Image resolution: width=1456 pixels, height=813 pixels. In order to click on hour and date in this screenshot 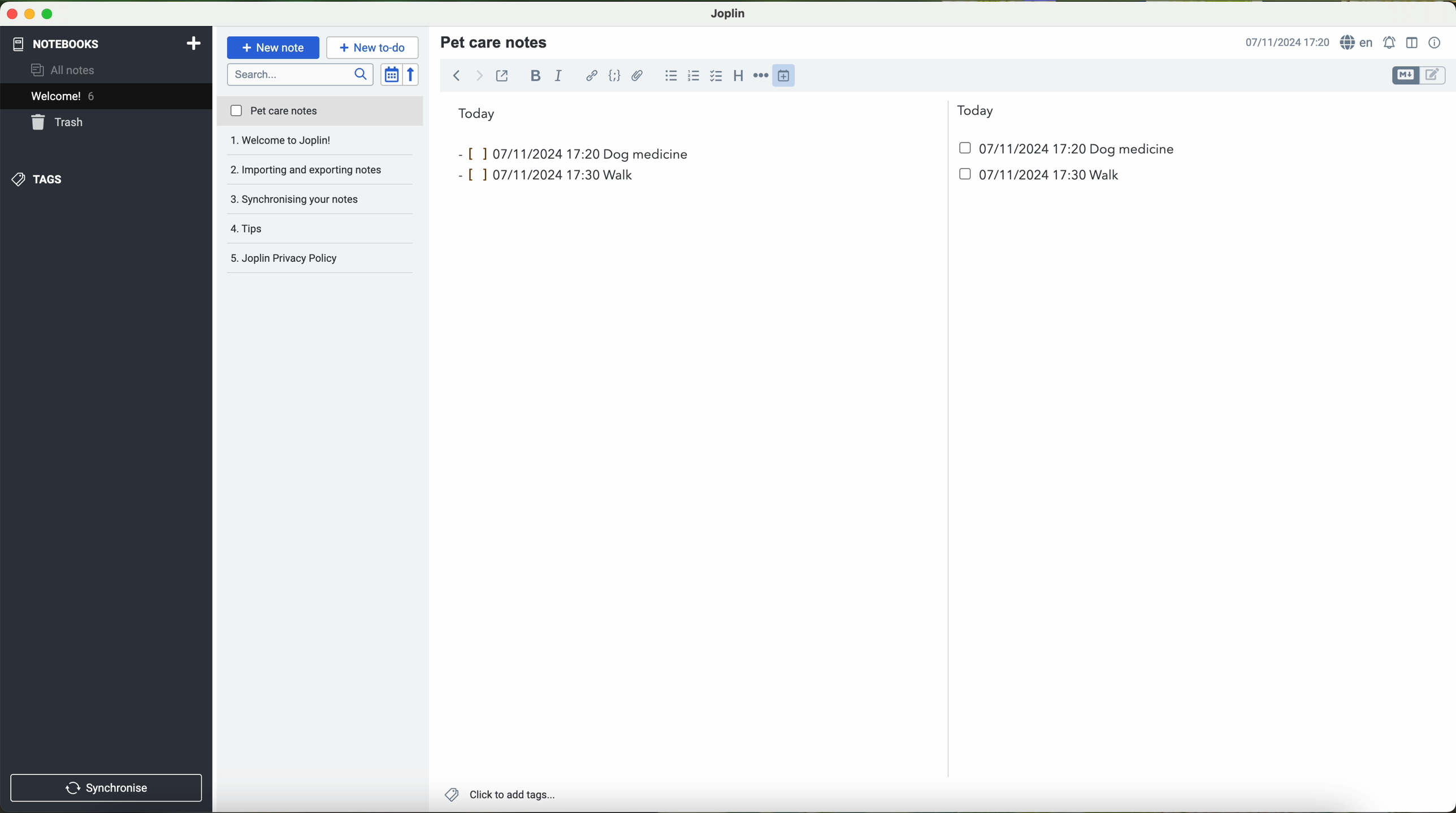, I will do `click(1286, 43)`.